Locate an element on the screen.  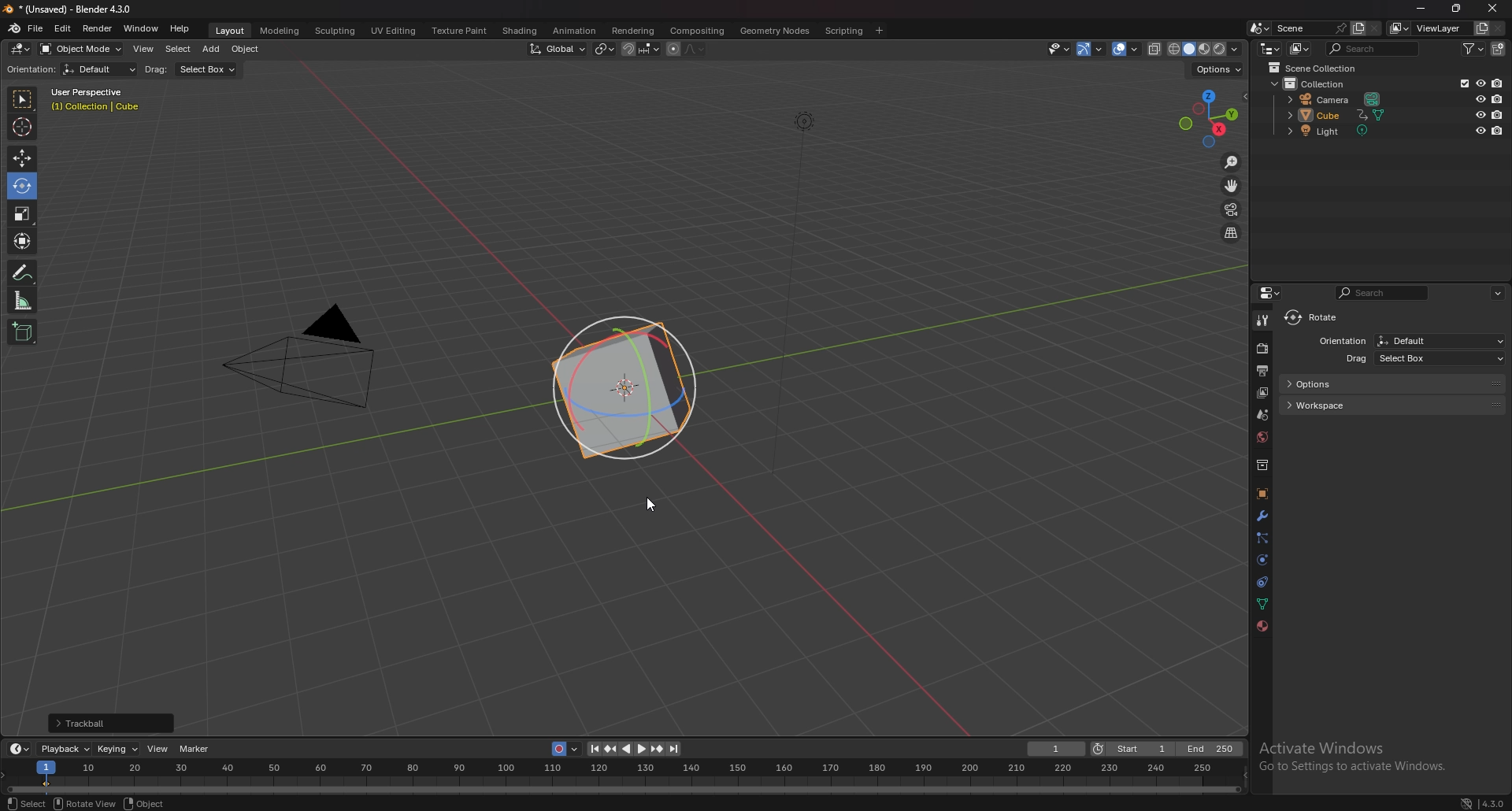
cursor is located at coordinates (21, 126).